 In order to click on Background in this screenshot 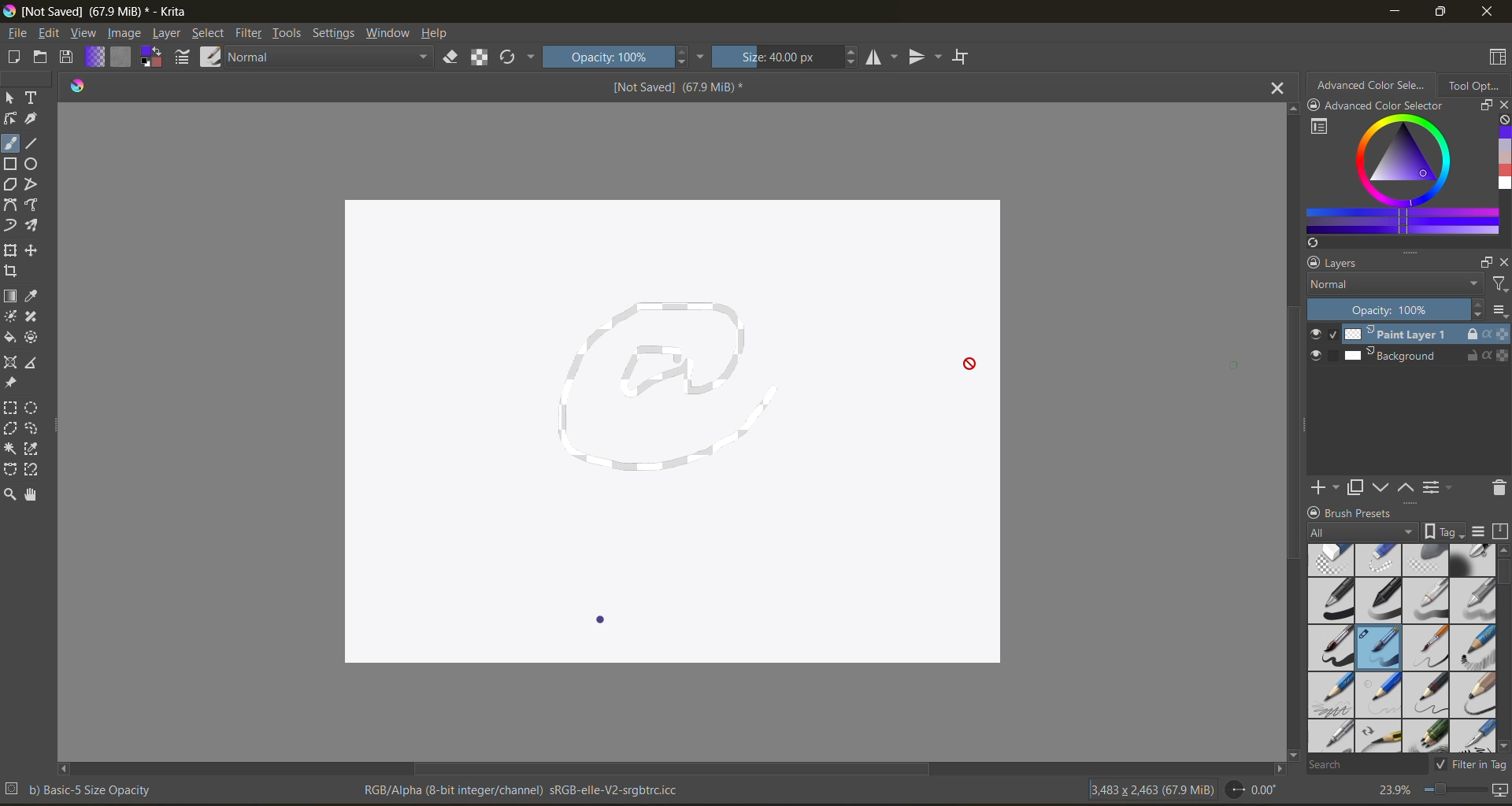, I will do `click(1427, 354)`.